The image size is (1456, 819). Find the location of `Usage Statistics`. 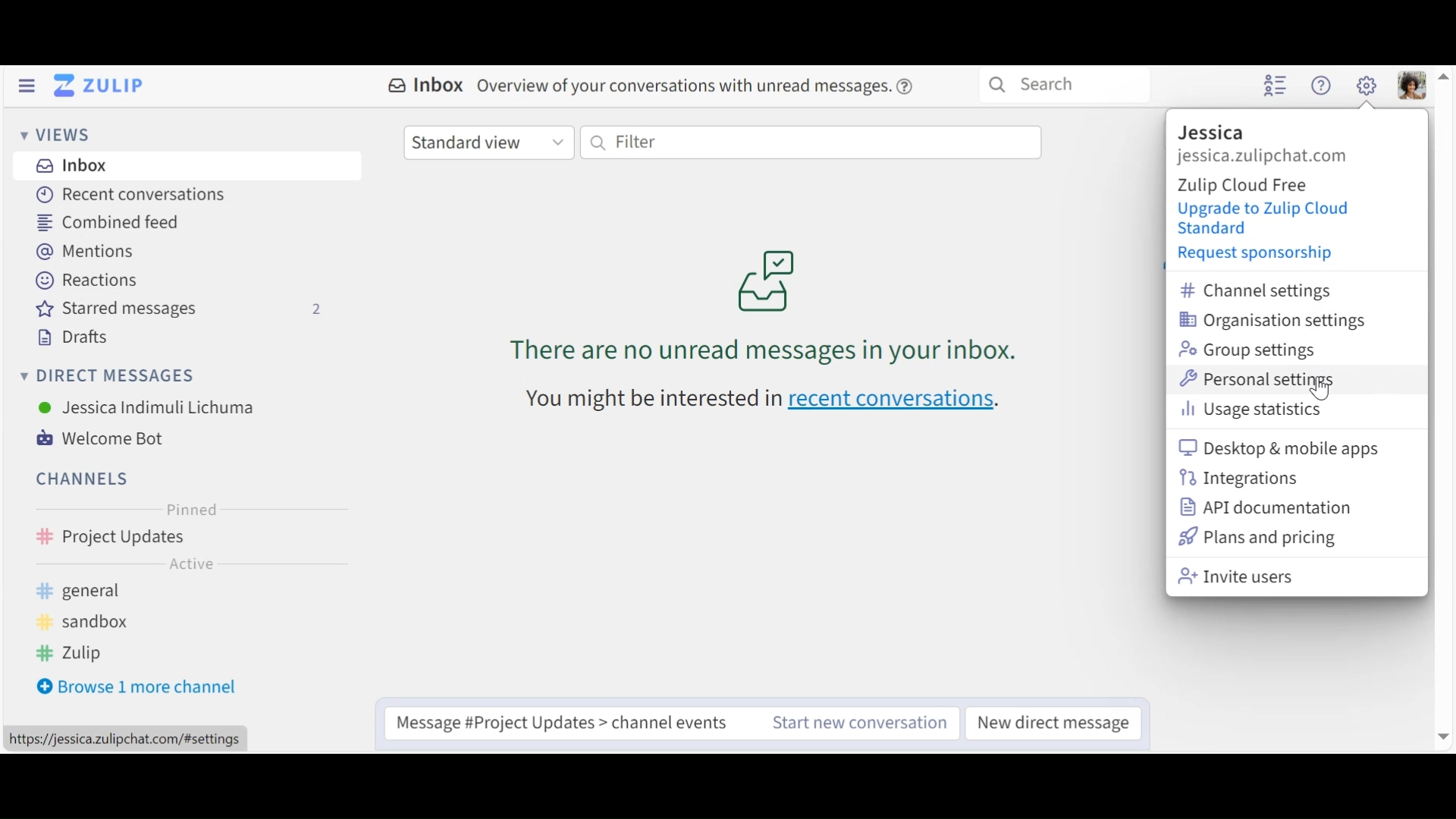

Usage Statistics is located at coordinates (1260, 409).